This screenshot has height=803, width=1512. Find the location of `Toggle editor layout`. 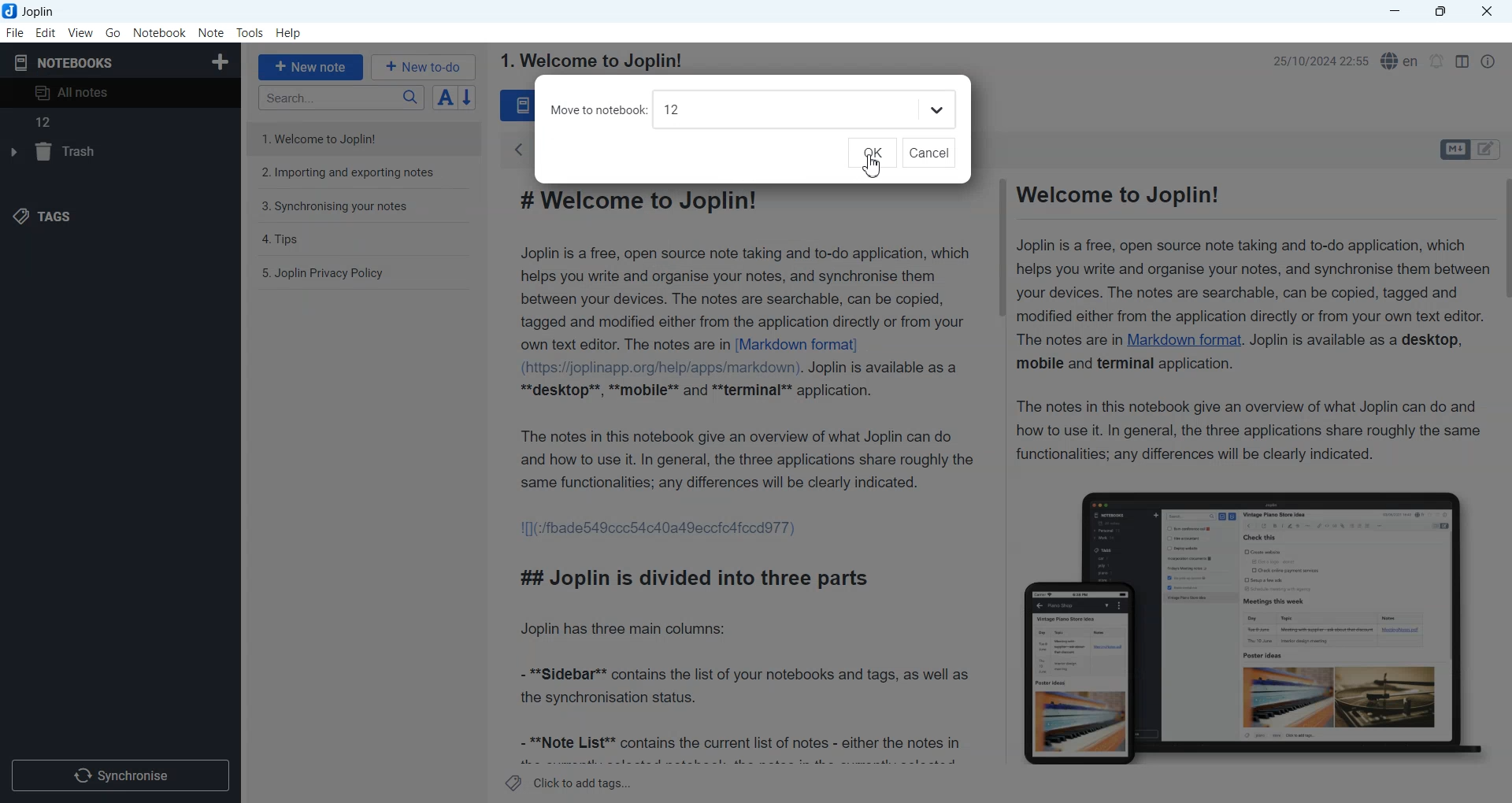

Toggle editor layout is located at coordinates (1462, 61).